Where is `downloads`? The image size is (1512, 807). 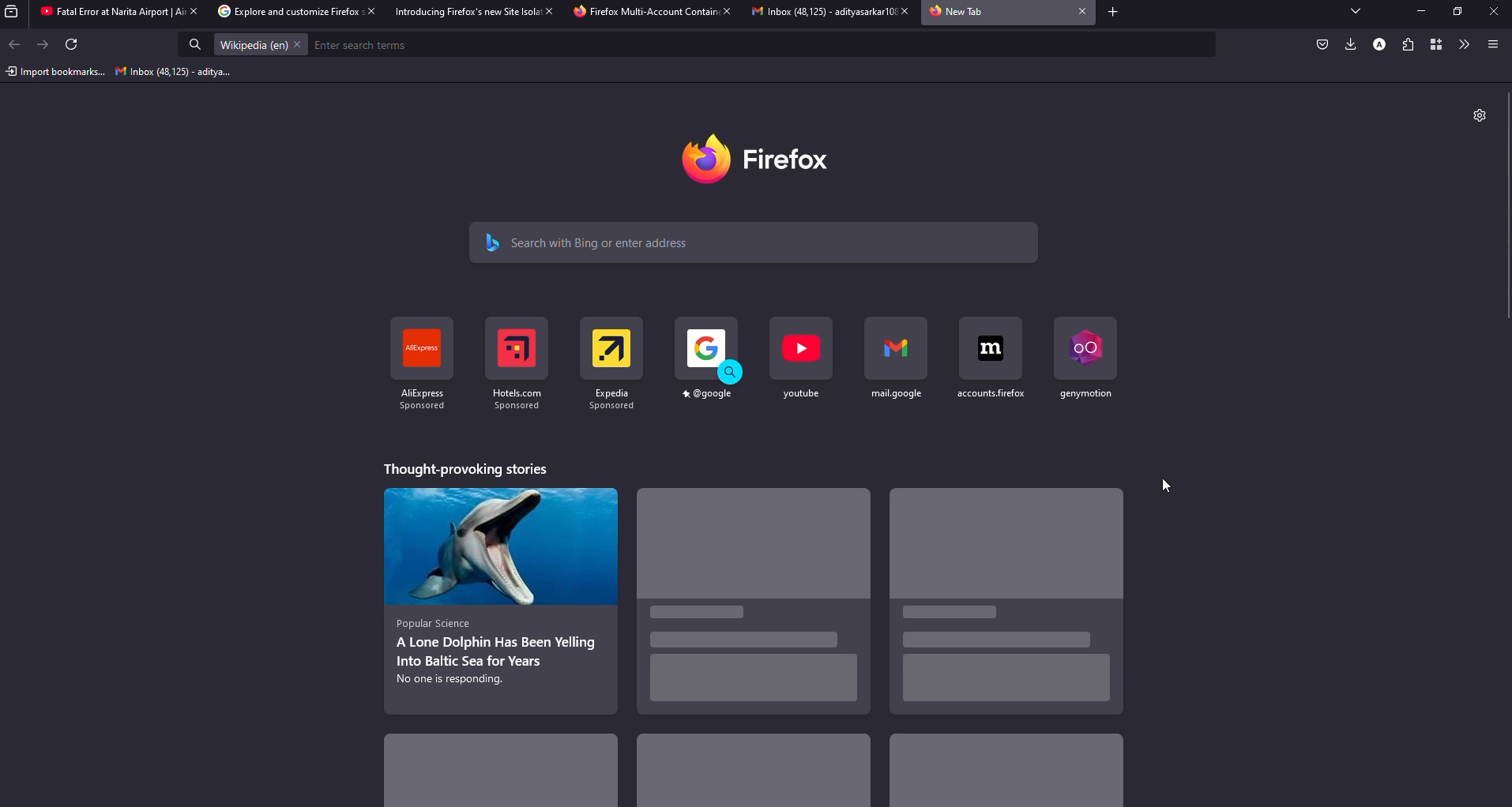 downloads is located at coordinates (1348, 43).